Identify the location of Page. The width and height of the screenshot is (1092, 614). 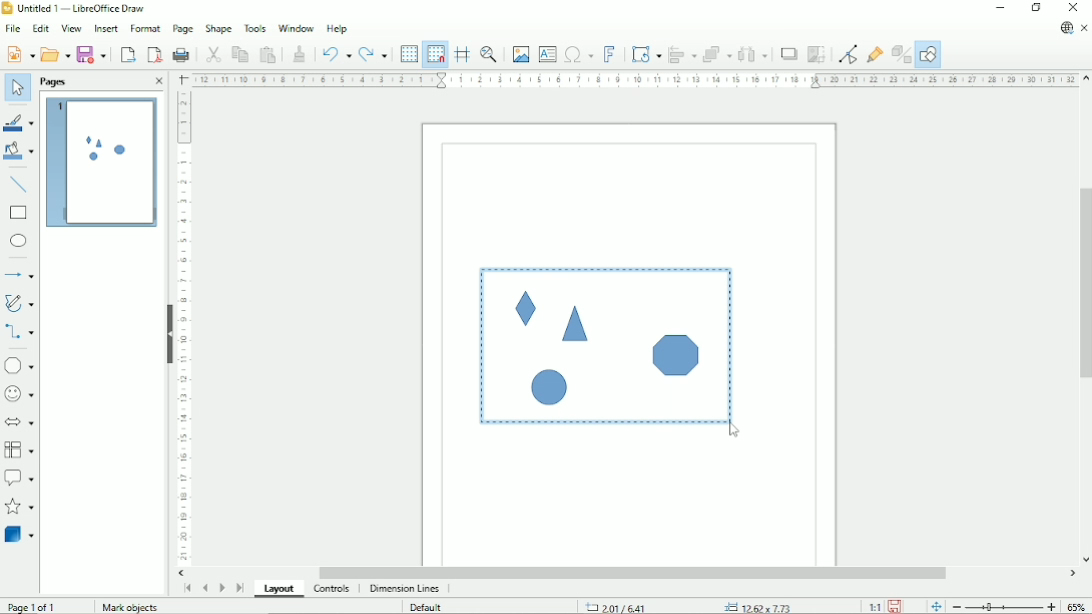
(181, 29).